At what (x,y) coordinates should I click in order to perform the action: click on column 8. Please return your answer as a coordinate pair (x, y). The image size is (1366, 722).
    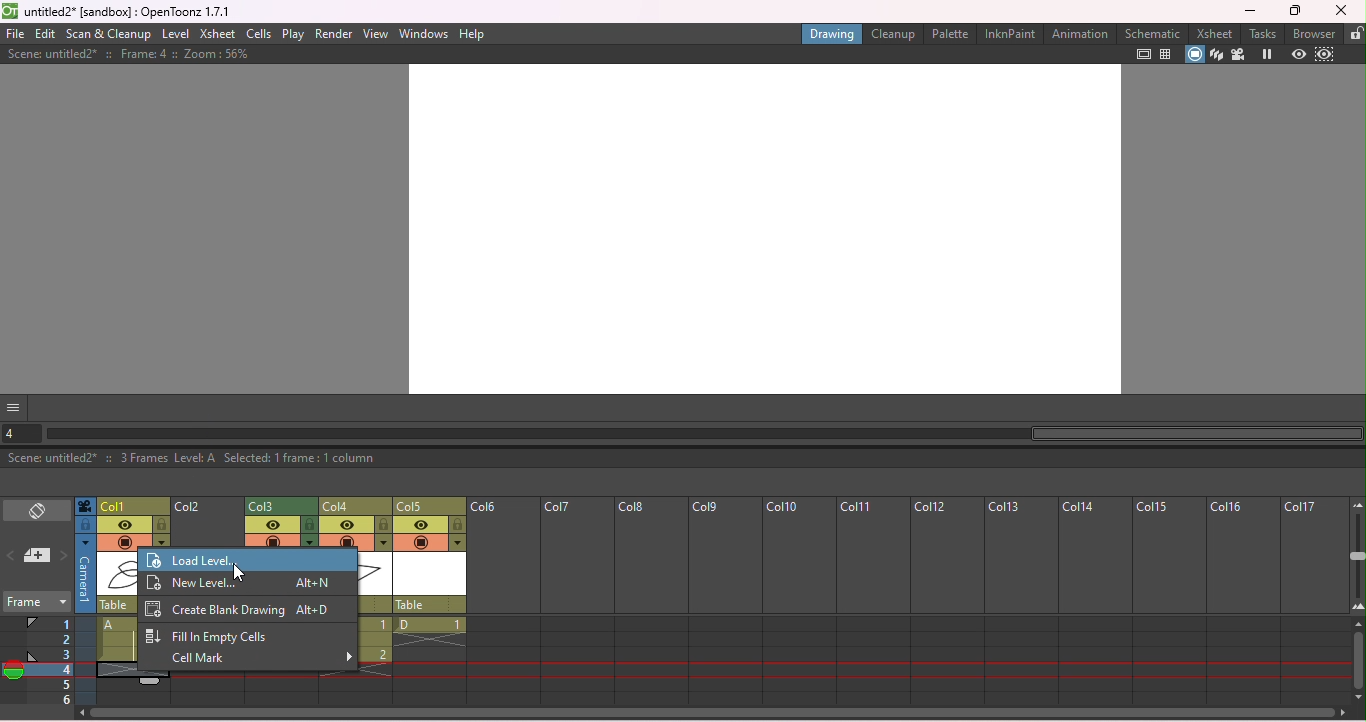
    Looking at the image, I should click on (649, 602).